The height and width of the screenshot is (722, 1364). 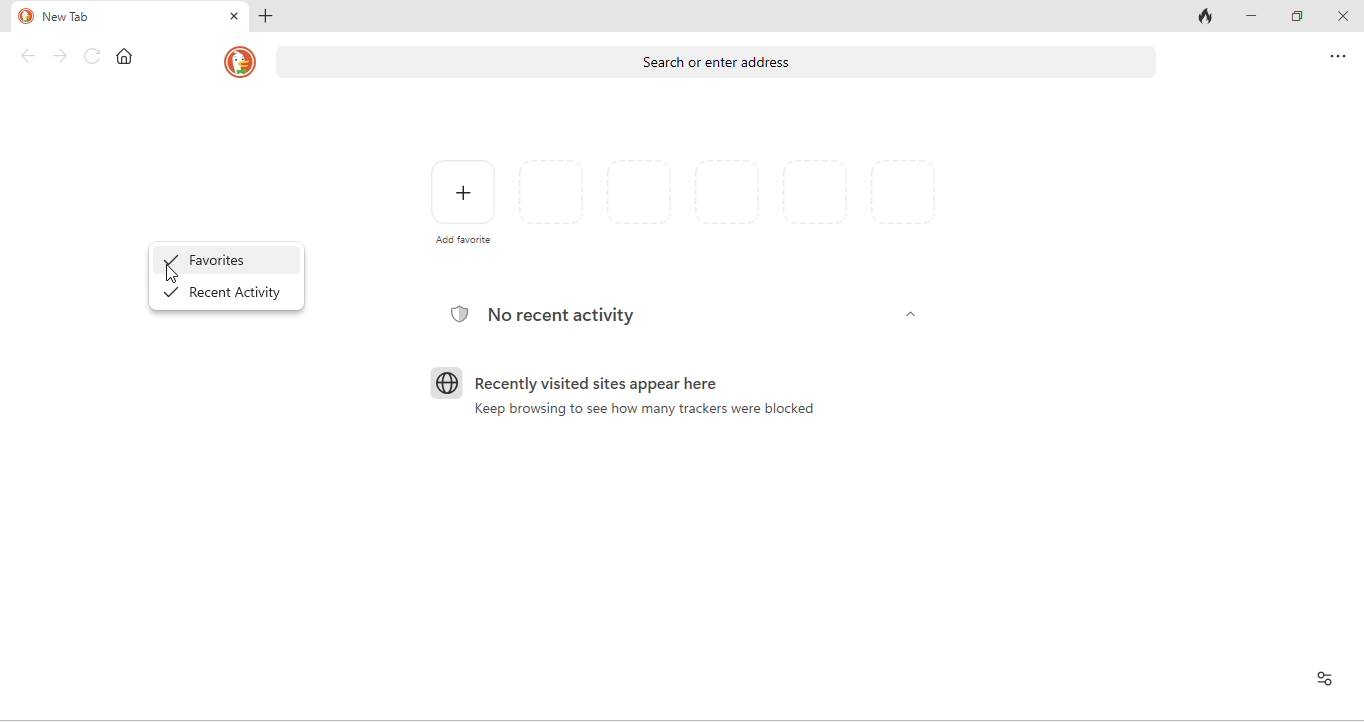 What do you see at coordinates (61, 57) in the screenshot?
I see `forward` at bounding box center [61, 57].